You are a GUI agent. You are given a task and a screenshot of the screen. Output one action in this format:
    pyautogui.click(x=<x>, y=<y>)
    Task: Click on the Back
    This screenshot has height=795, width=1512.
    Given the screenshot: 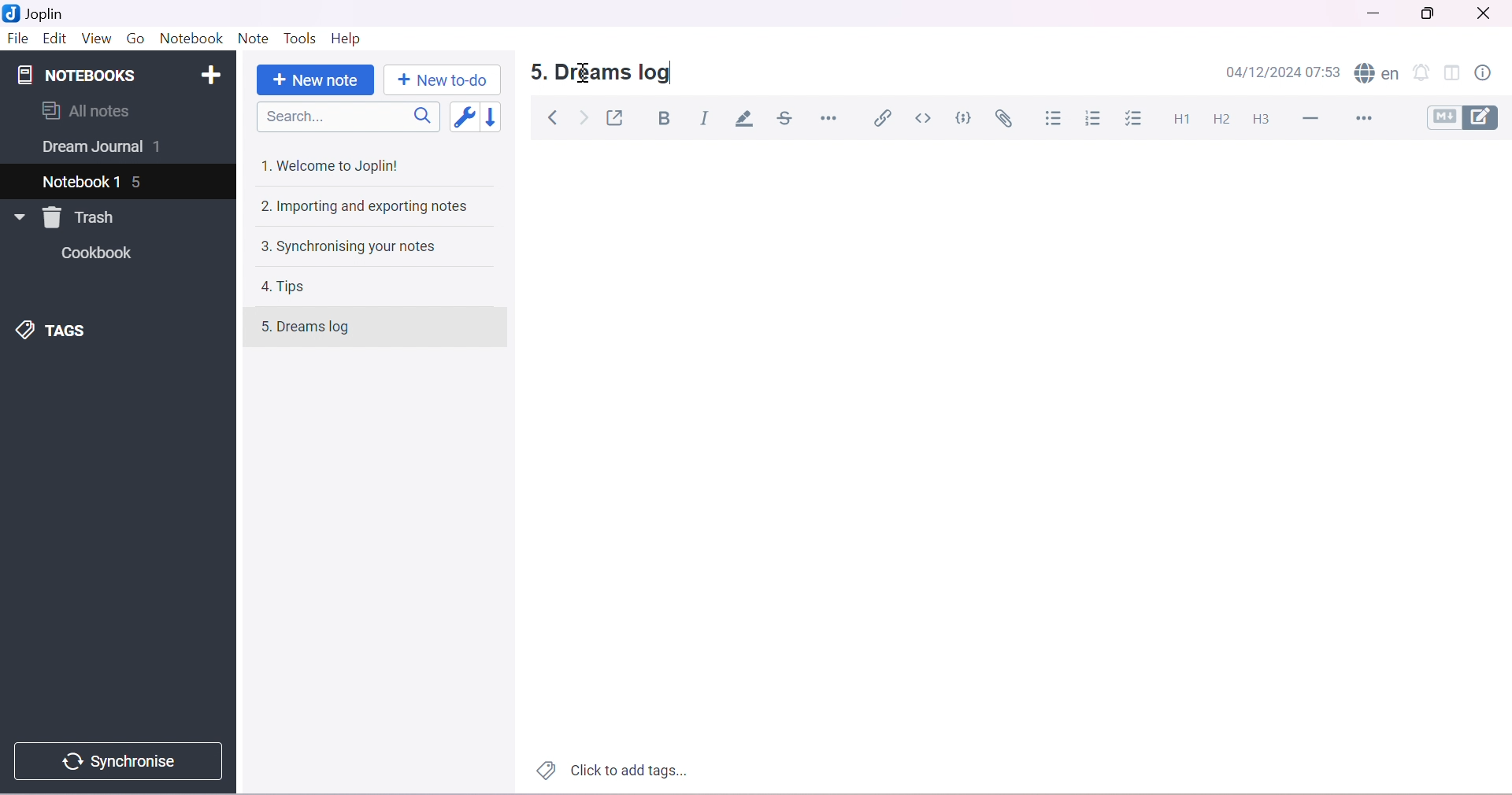 What is the action you would take?
    pyautogui.click(x=555, y=118)
    